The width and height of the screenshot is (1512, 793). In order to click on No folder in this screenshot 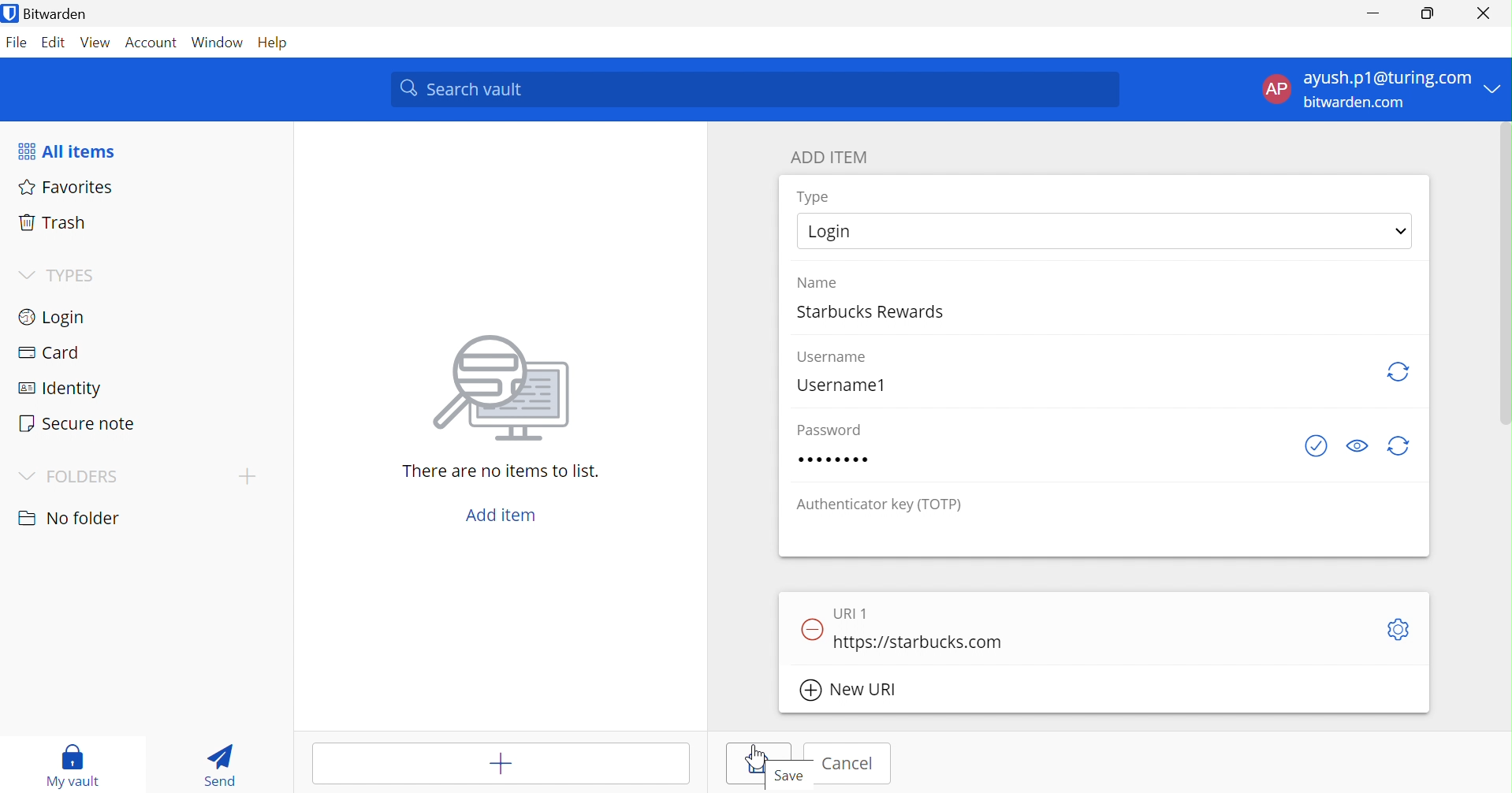, I will do `click(70, 520)`.